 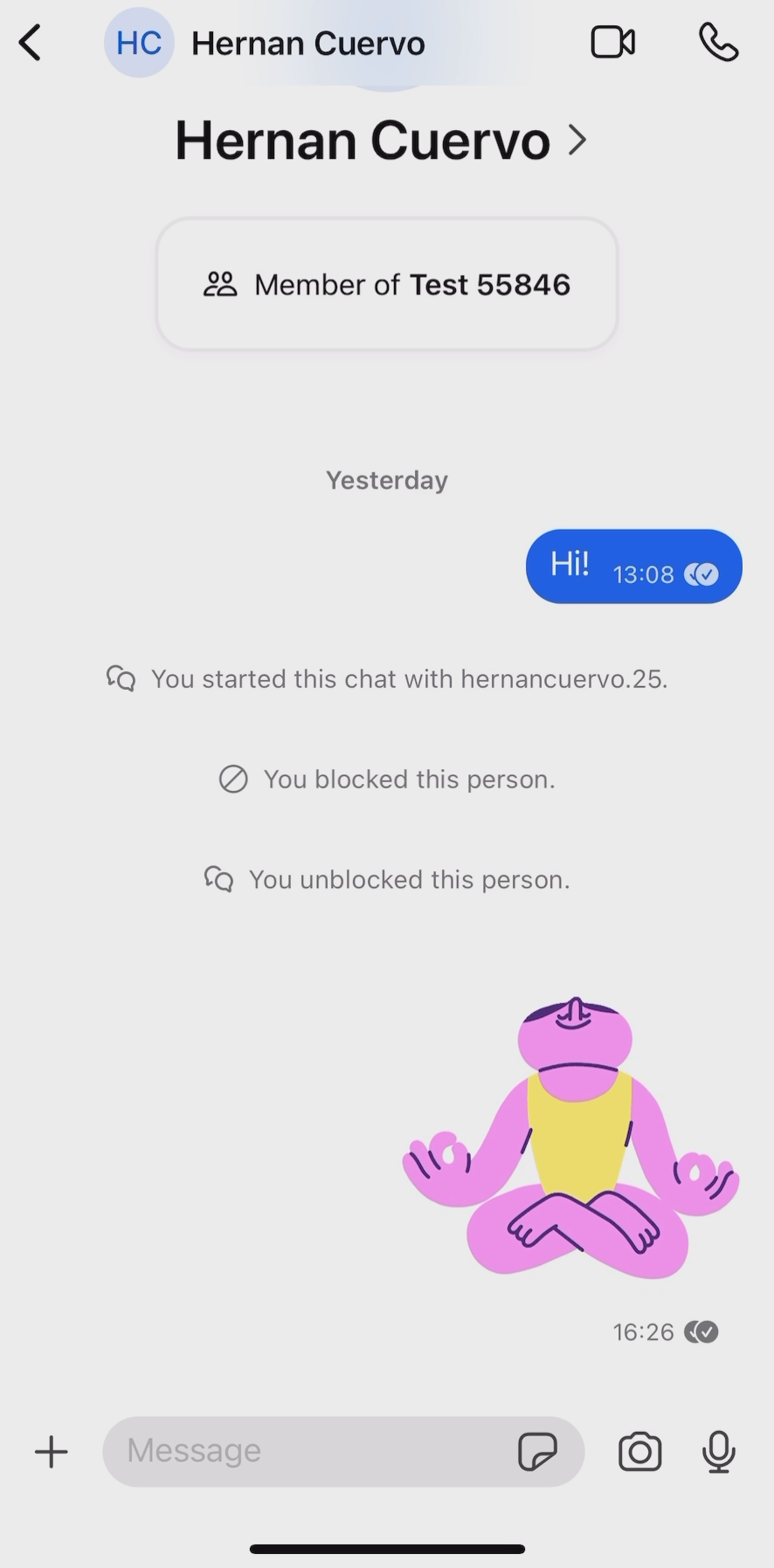 I want to click on add, so click(x=52, y=1449).